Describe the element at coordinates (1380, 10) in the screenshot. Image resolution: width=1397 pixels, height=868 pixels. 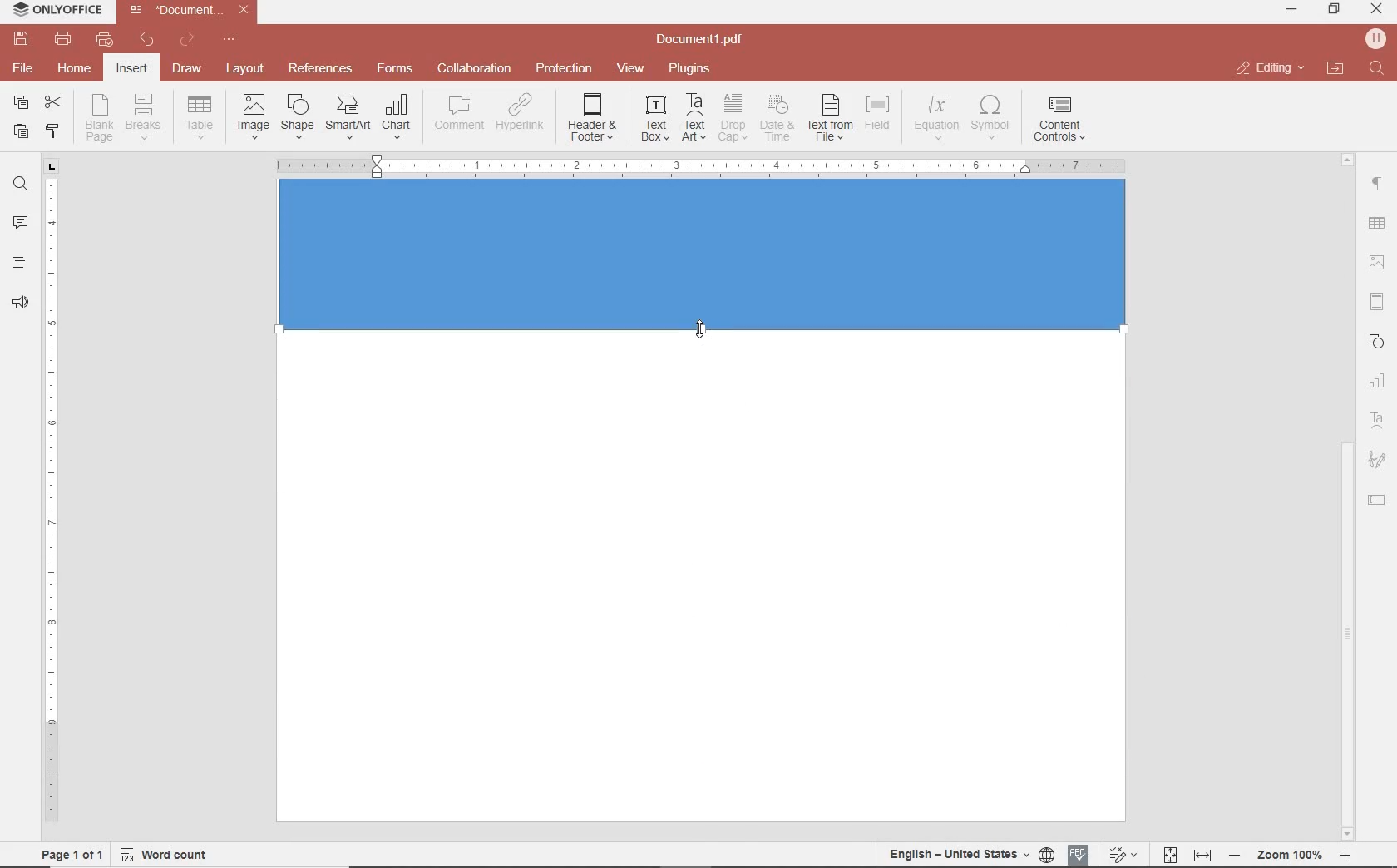
I see `minimize ,restore ,close` at that location.